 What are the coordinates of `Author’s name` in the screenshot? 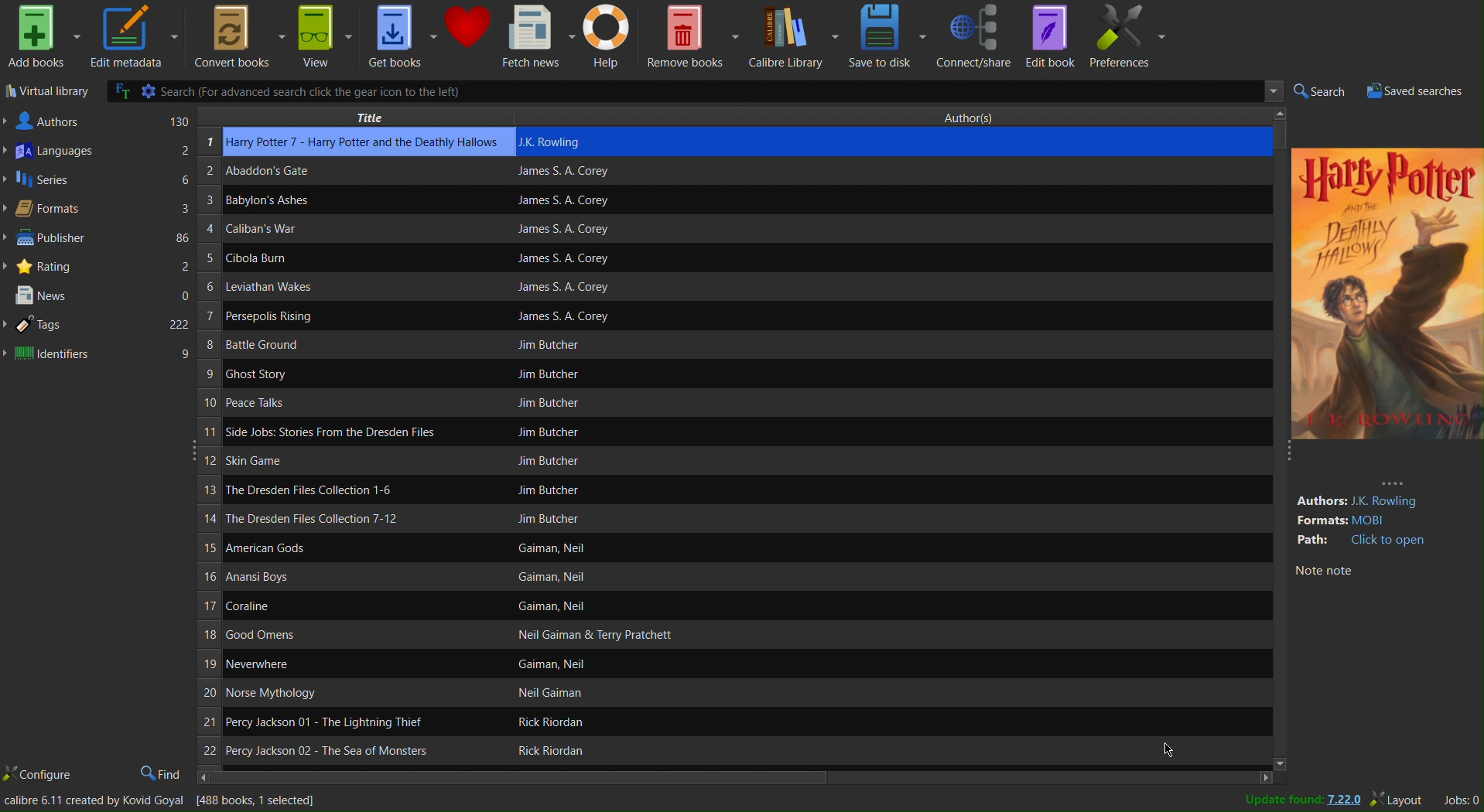 It's located at (768, 435).